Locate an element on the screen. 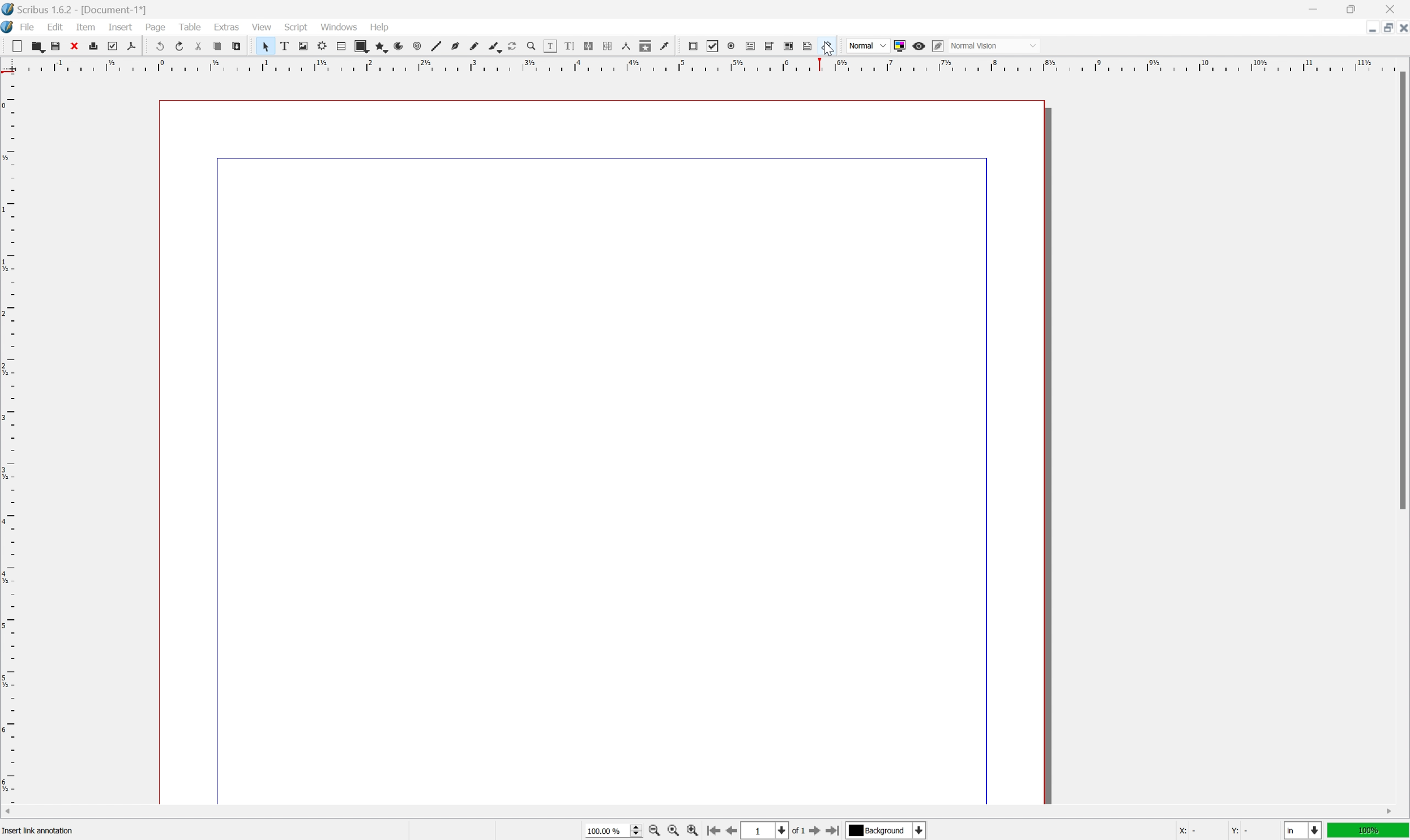 The image size is (1410, 840). scroll bar is located at coordinates (699, 812).